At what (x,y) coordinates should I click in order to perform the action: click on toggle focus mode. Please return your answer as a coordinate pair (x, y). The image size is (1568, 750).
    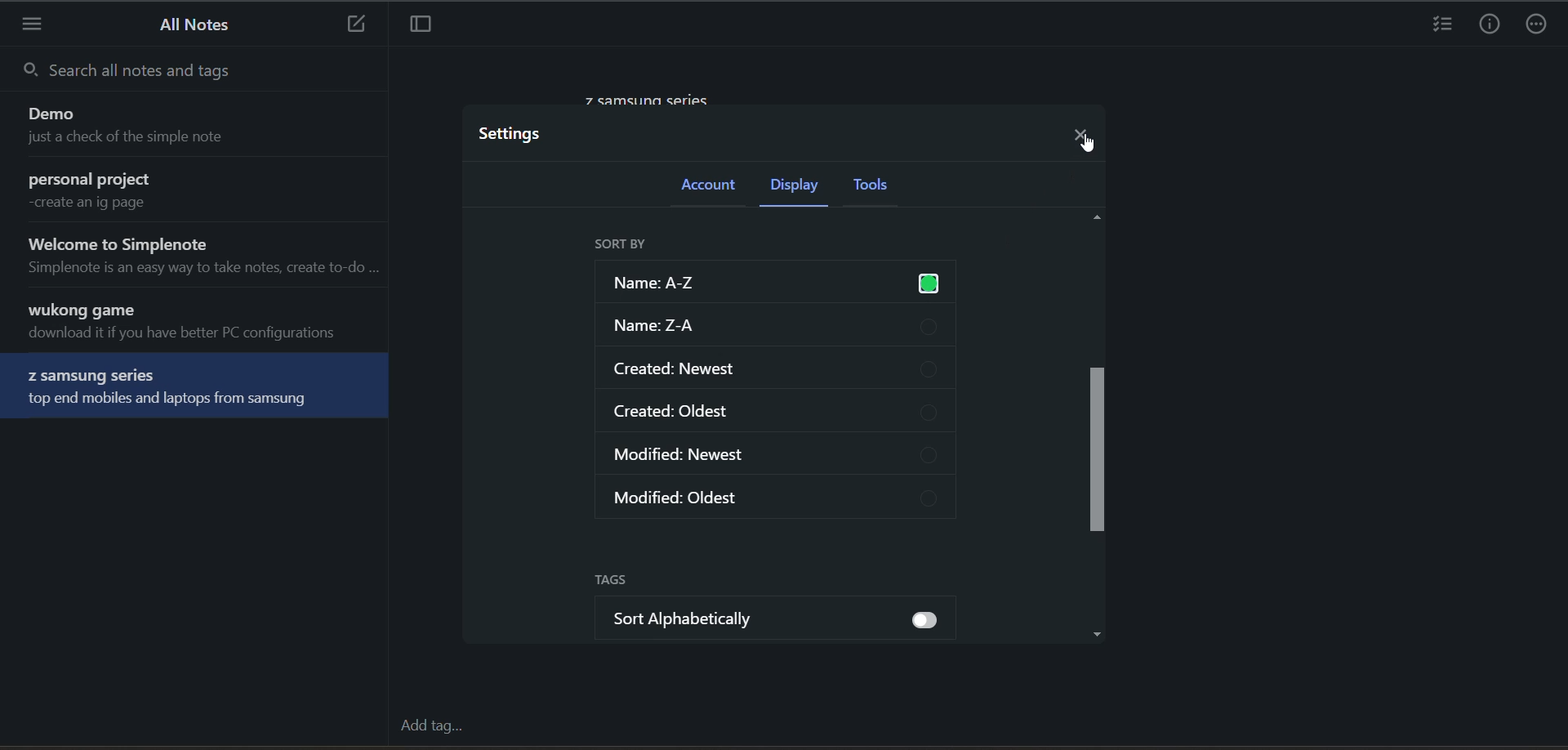
    Looking at the image, I should click on (417, 26).